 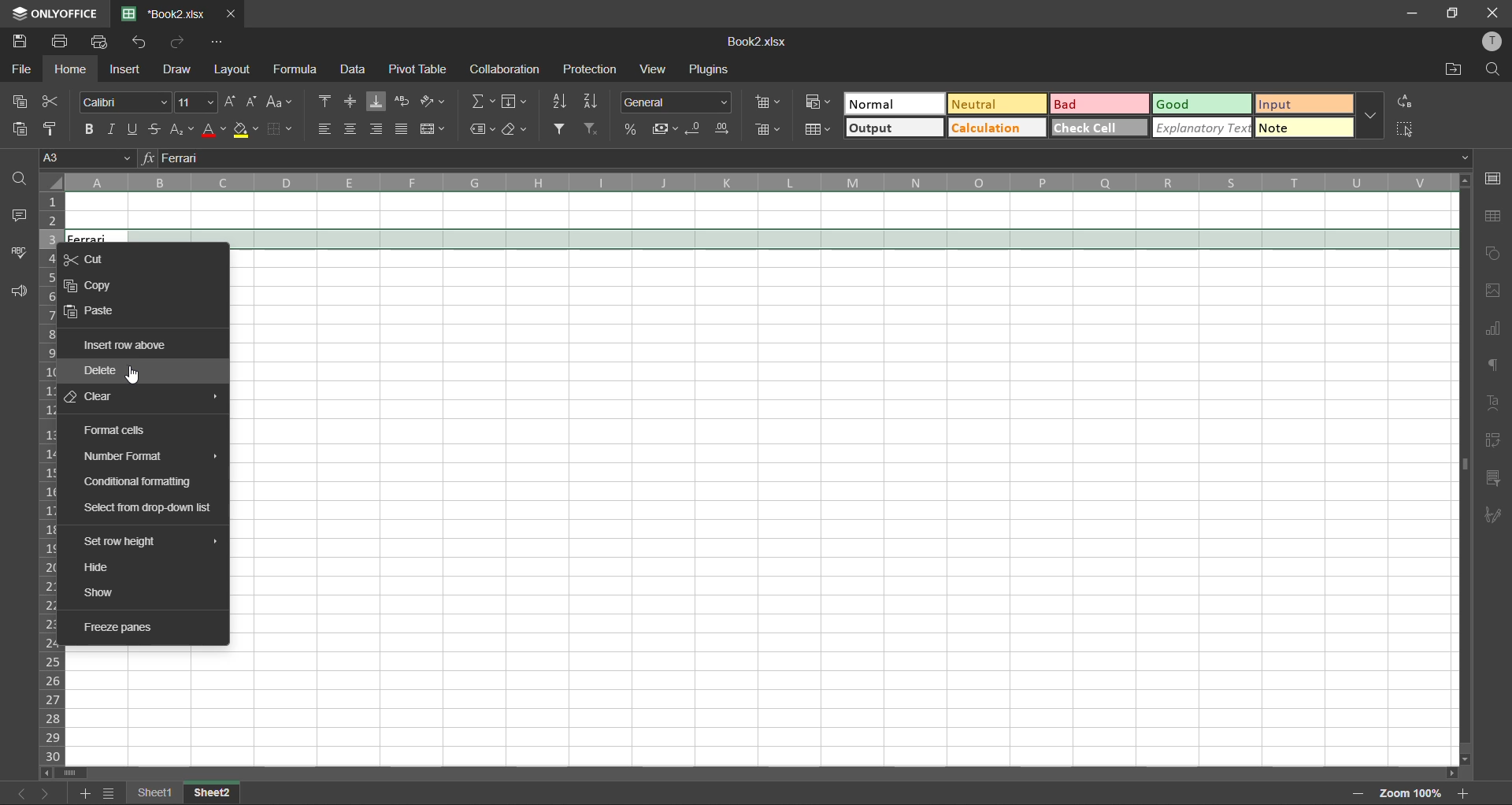 I want to click on pivot table, so click(x=423, y=69).